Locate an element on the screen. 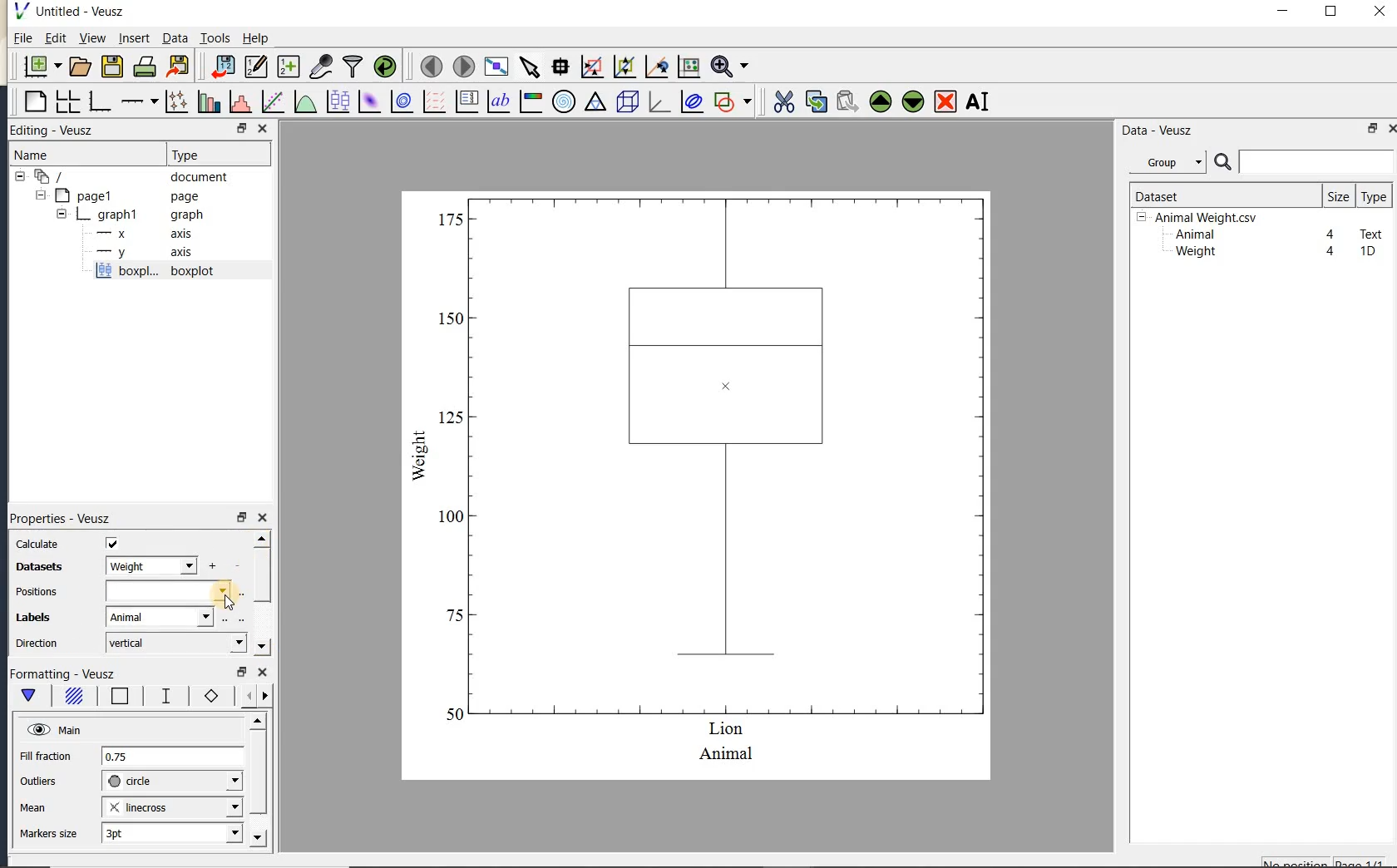  close is located at coordinates (1380, 12).